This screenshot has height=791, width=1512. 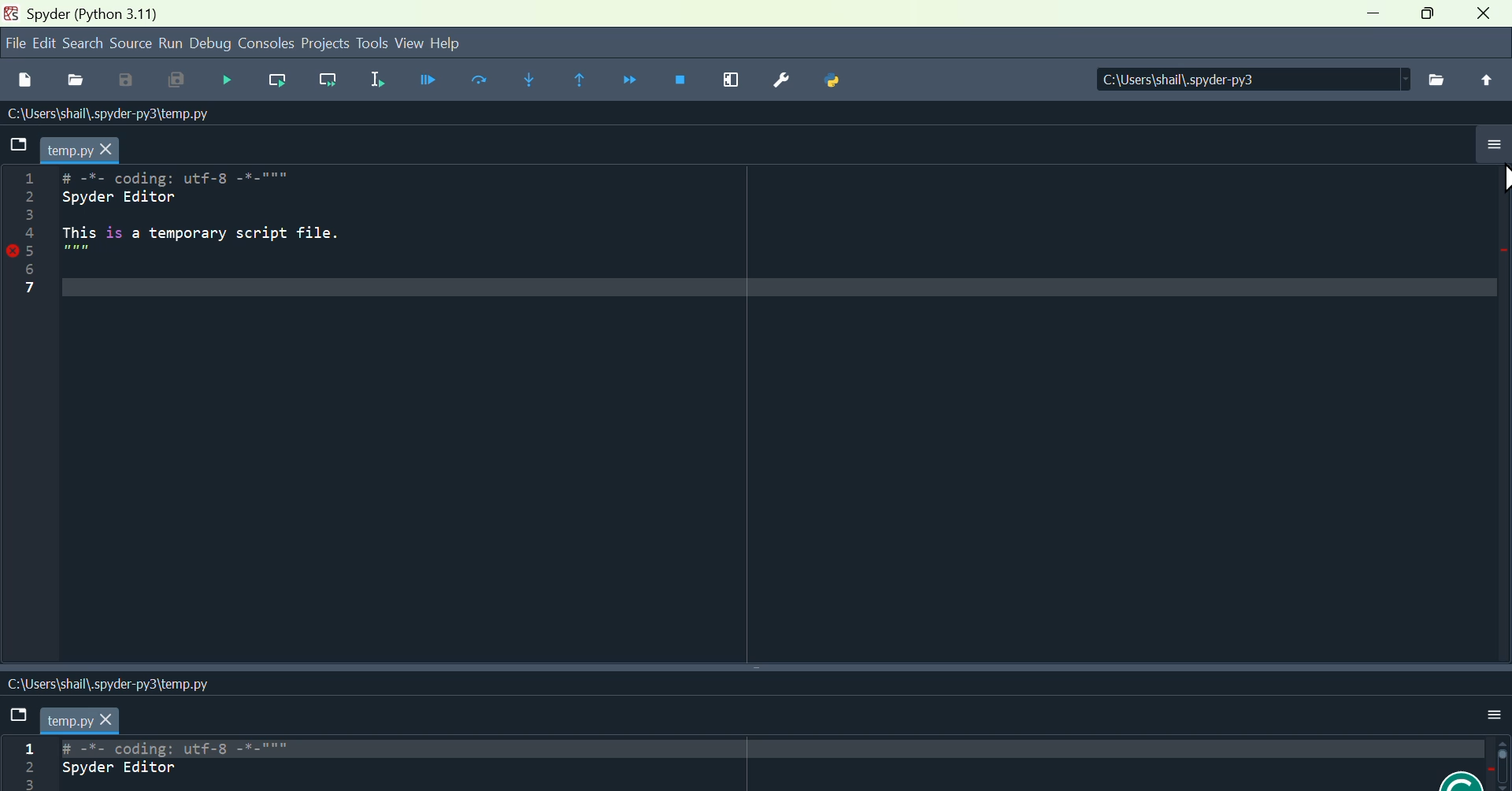 I want to click on Vertical split screens, so click(x=758, y=671).